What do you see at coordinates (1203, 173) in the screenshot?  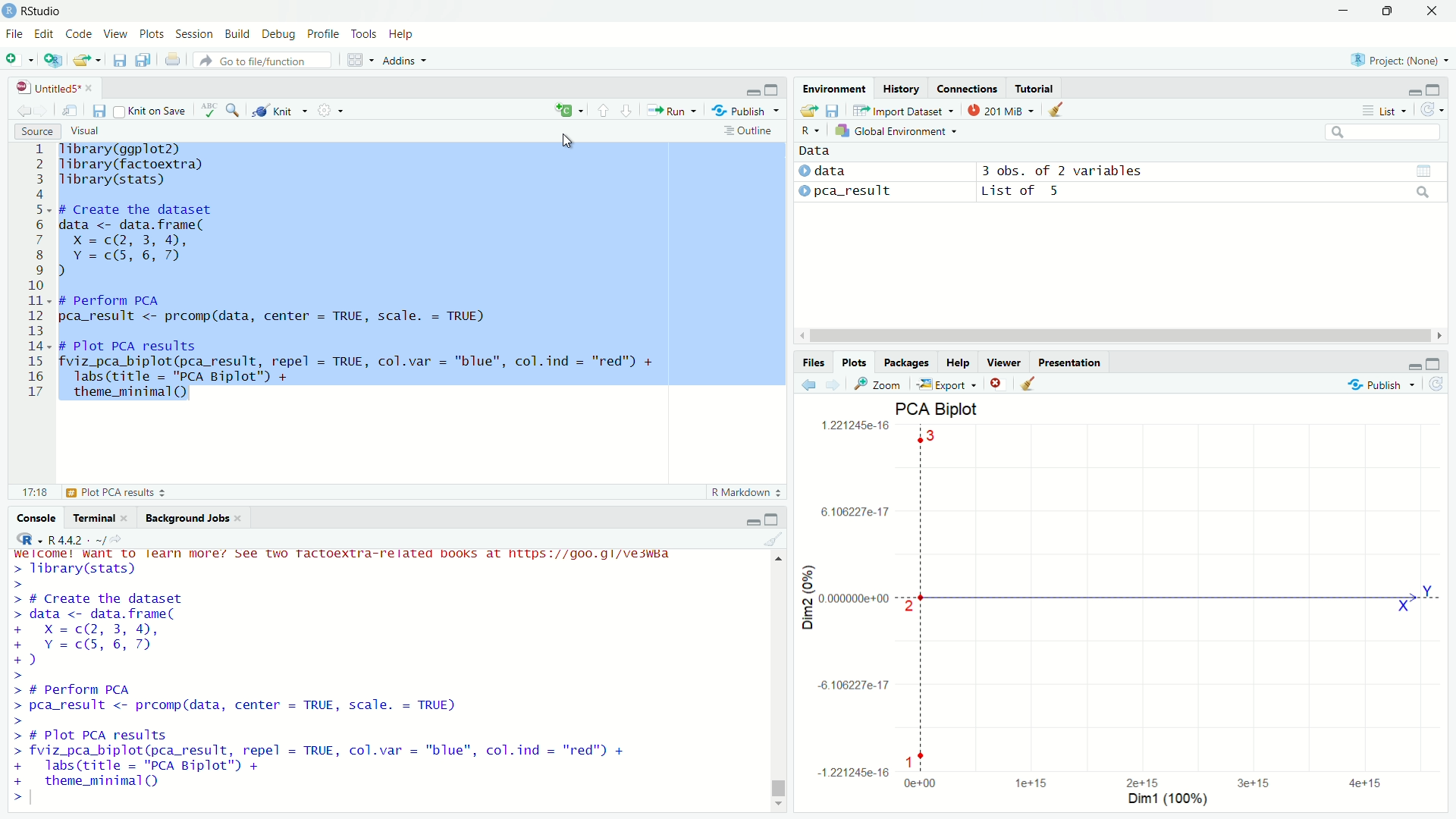 I see `3obs. of 2 variable` at bounding box center [1203, 173].